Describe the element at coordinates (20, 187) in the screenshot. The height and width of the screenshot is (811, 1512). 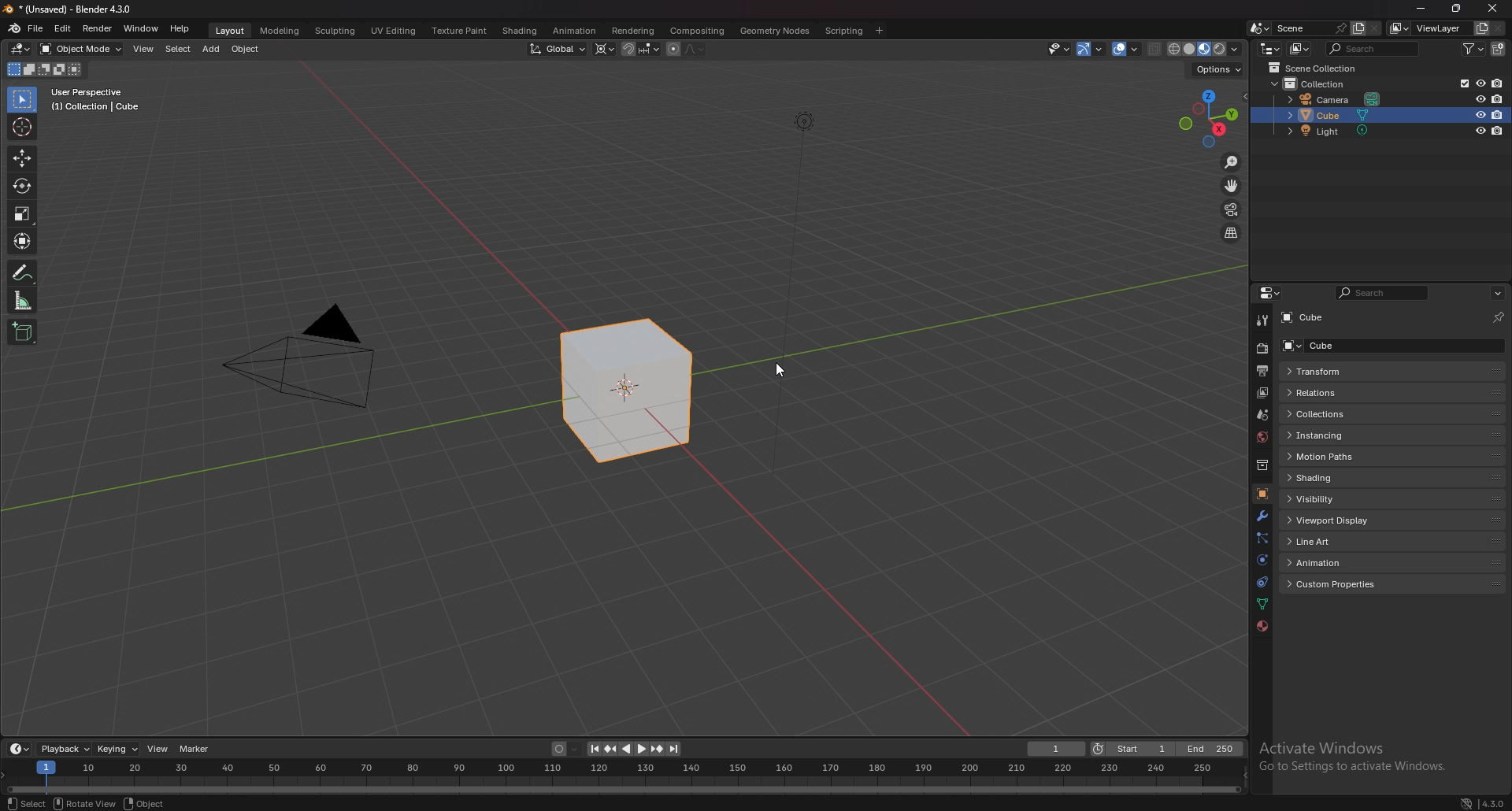
I see `rotate` at that location.